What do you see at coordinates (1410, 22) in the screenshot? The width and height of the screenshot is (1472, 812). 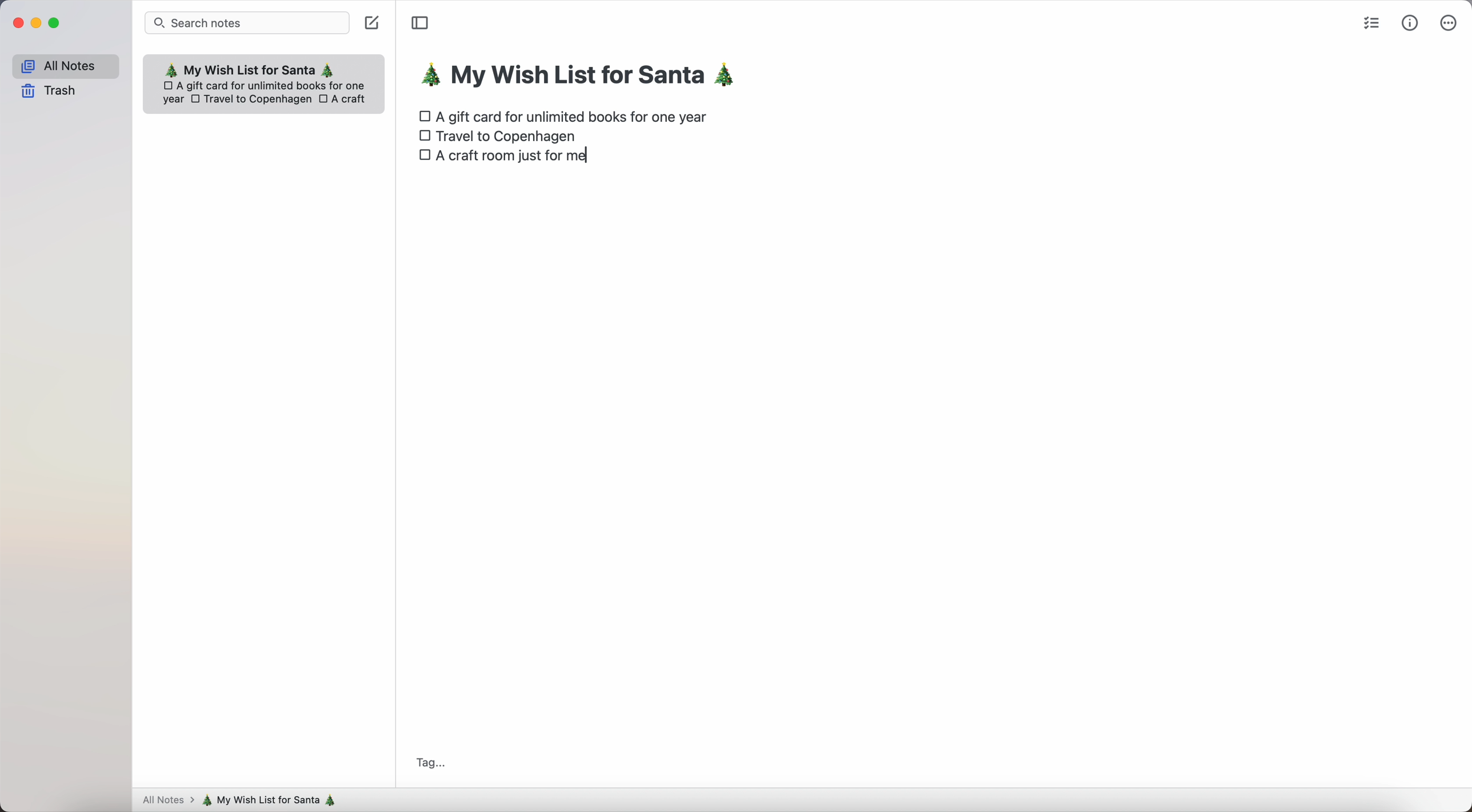 I see `metrics` at bounding box center [1410, 22].